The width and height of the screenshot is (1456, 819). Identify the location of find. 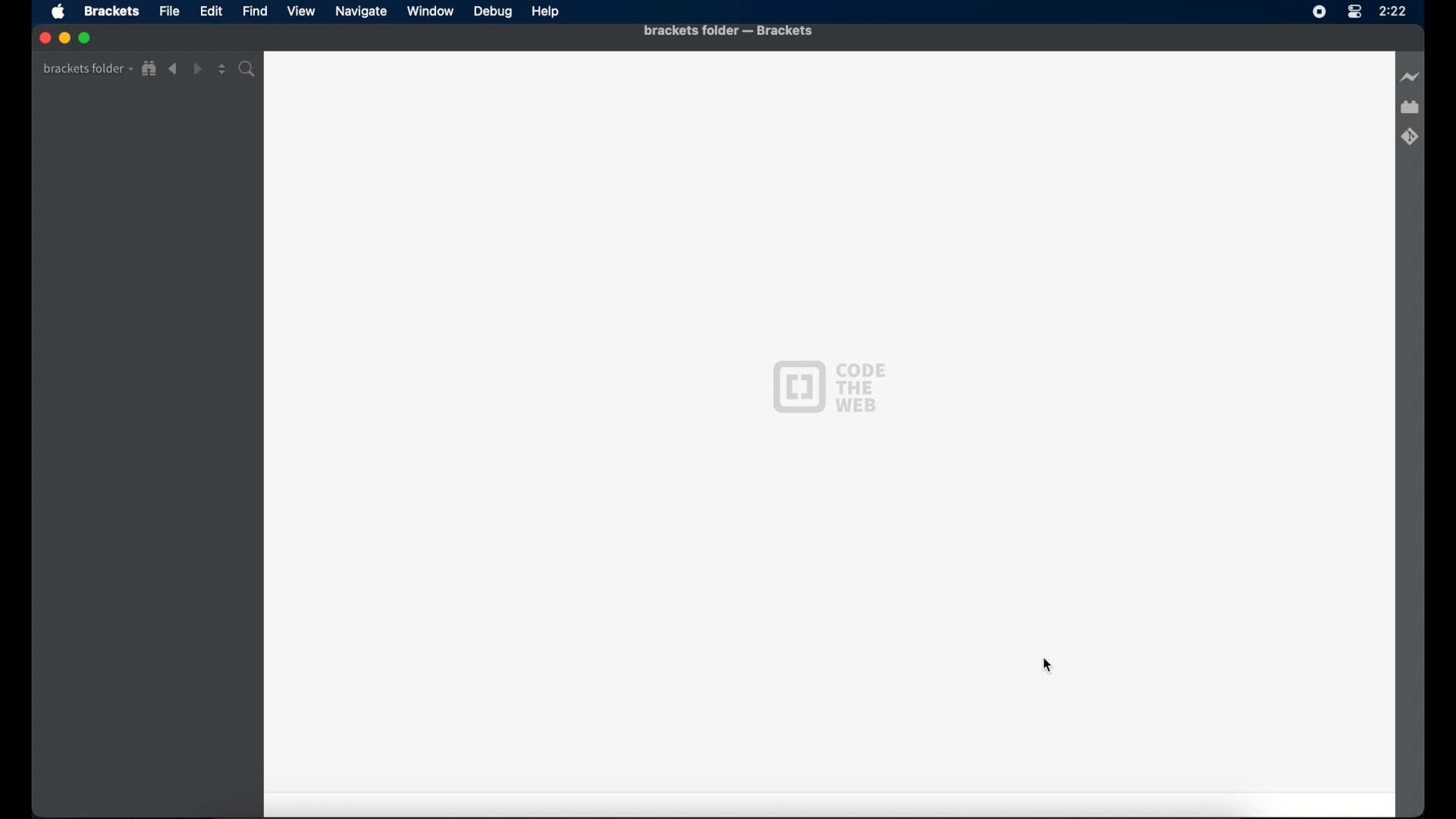
(256, 11).